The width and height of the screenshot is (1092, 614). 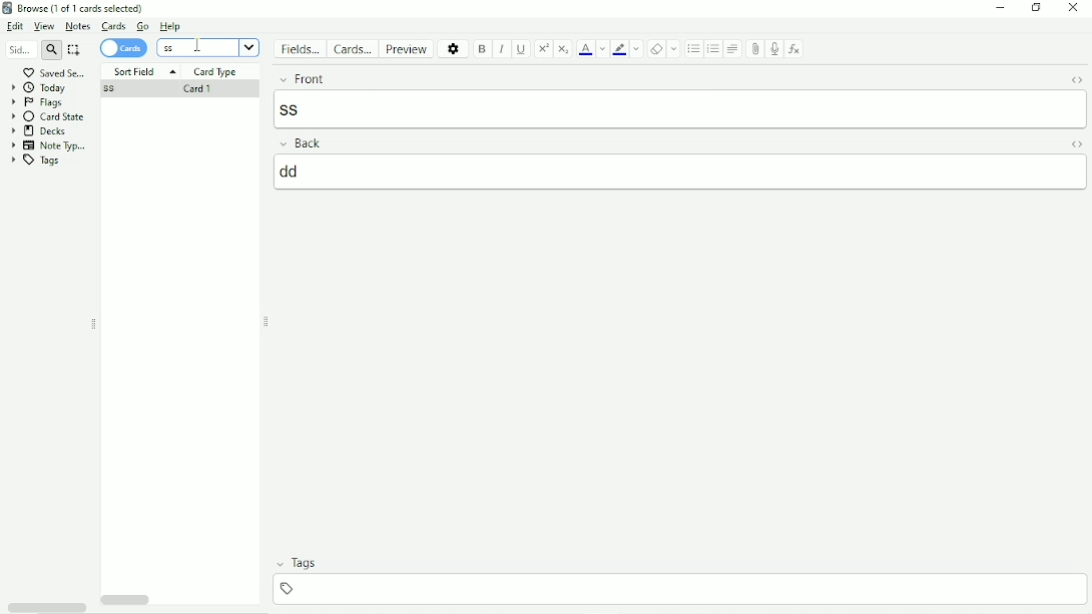 What do you see at coordinates (564, 49) in the screenshot?
I see `Subscript` at bounding box center [564, 49].